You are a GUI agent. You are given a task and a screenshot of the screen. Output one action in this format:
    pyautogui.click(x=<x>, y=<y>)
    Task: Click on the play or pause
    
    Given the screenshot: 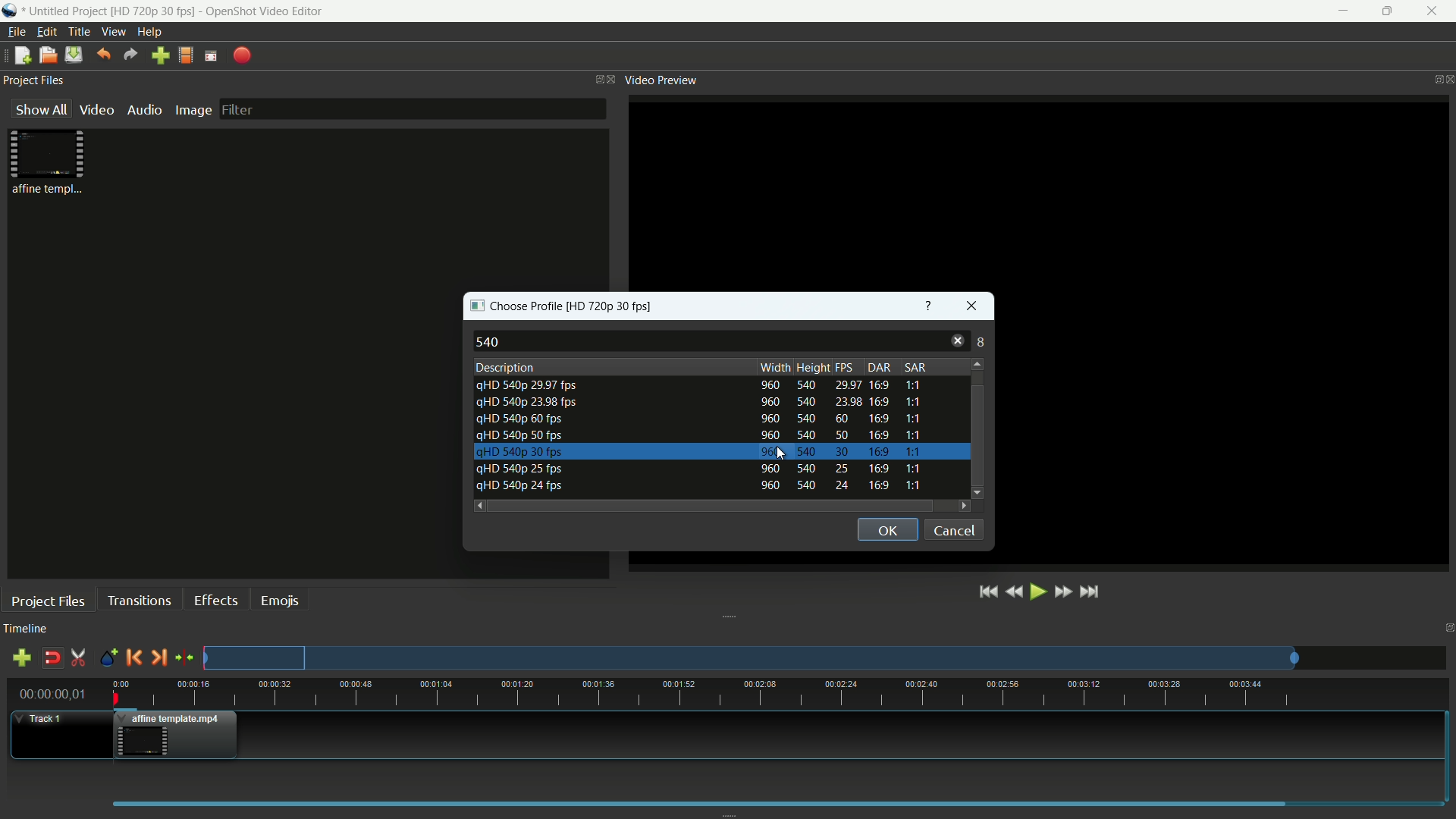 What is the action you would take?
    pyautogui.click(x=1036, y=592)
    